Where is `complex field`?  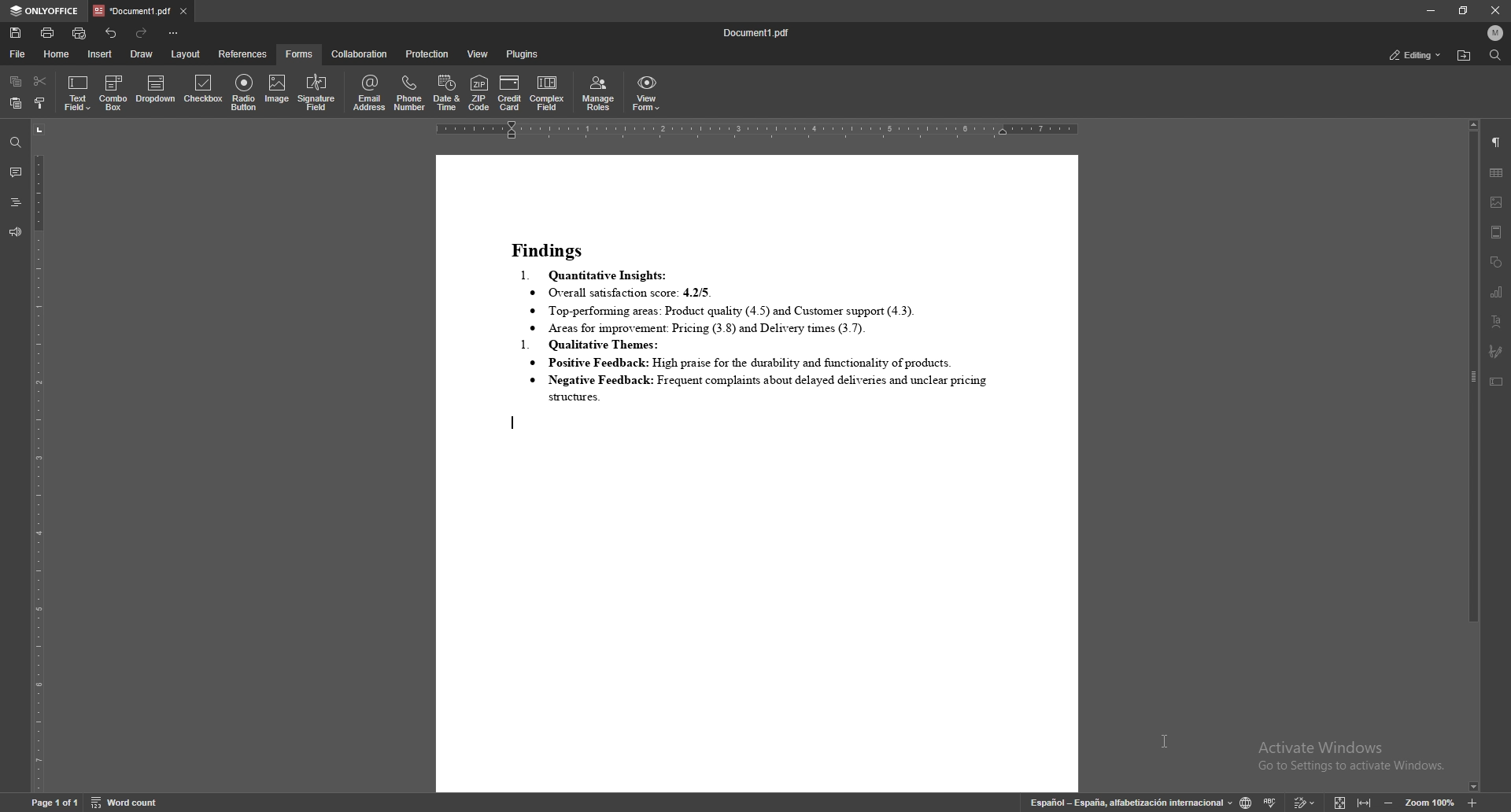
complex field is located at coordinates (549, 94).